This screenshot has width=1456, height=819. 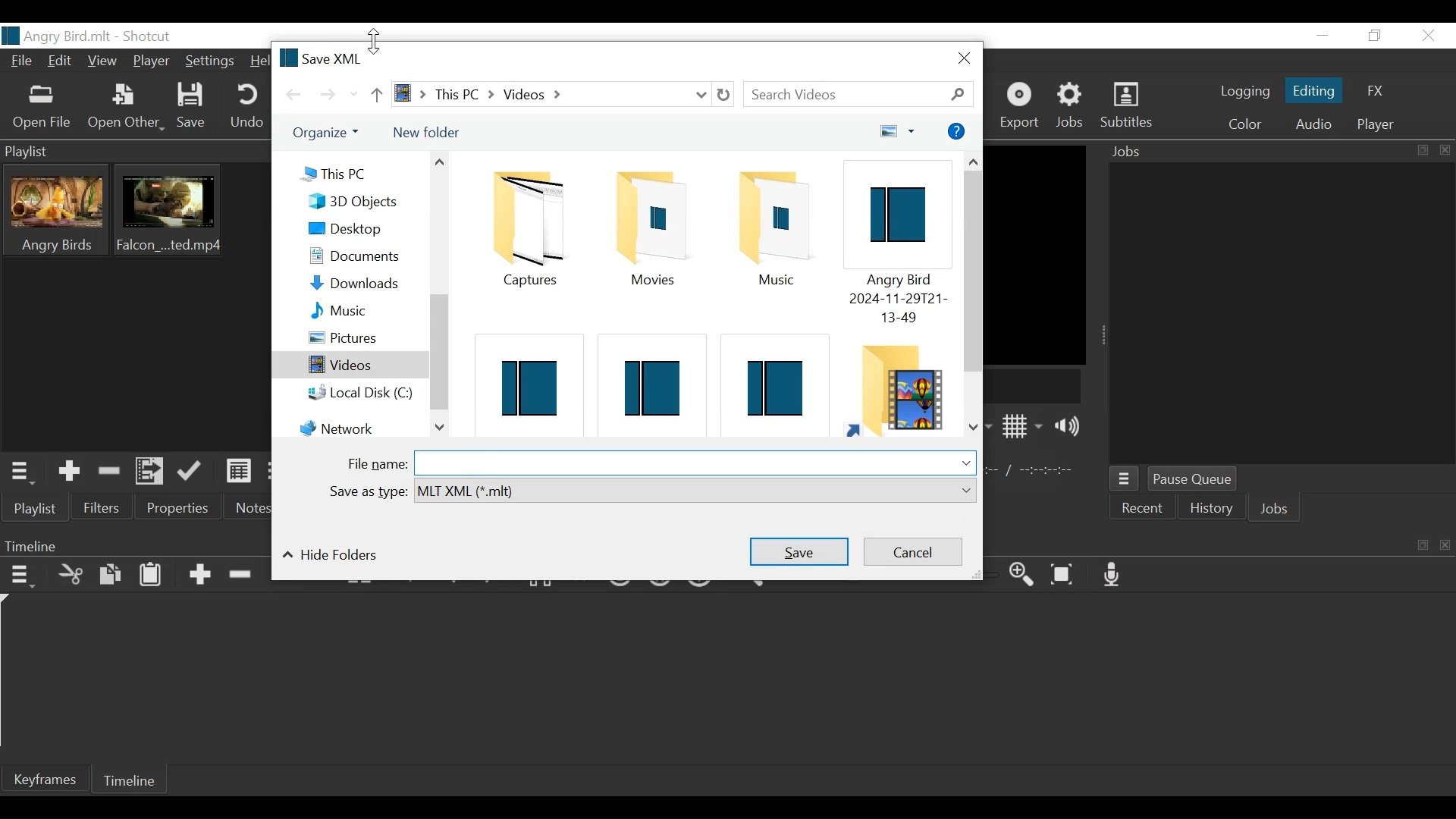 What do you see at coordinates (695, 463) in the screenshot?
I see `File Name Field` at bounding box center [695, 463].